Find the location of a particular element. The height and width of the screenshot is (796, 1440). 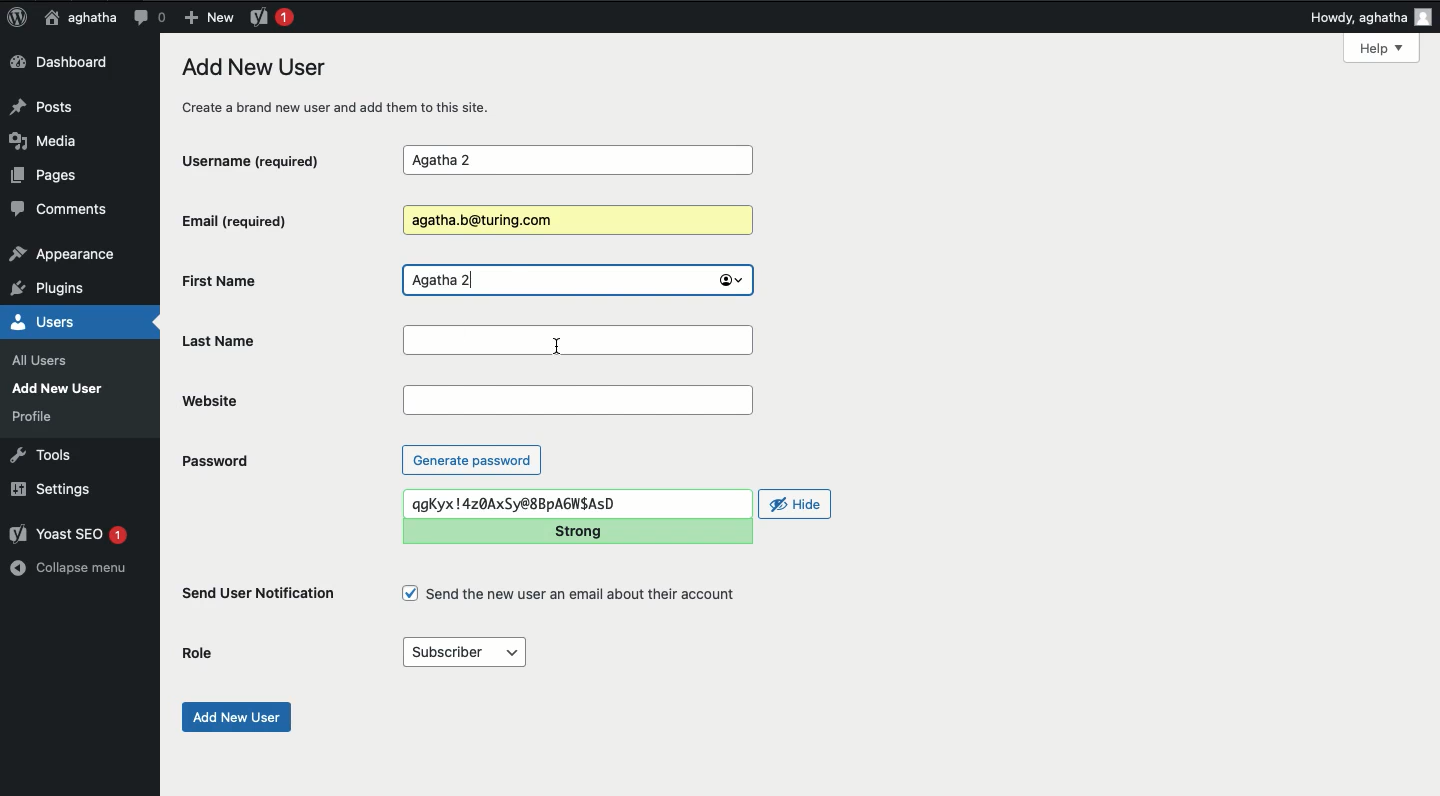

Dashboard is located at coordinates (65, 63).